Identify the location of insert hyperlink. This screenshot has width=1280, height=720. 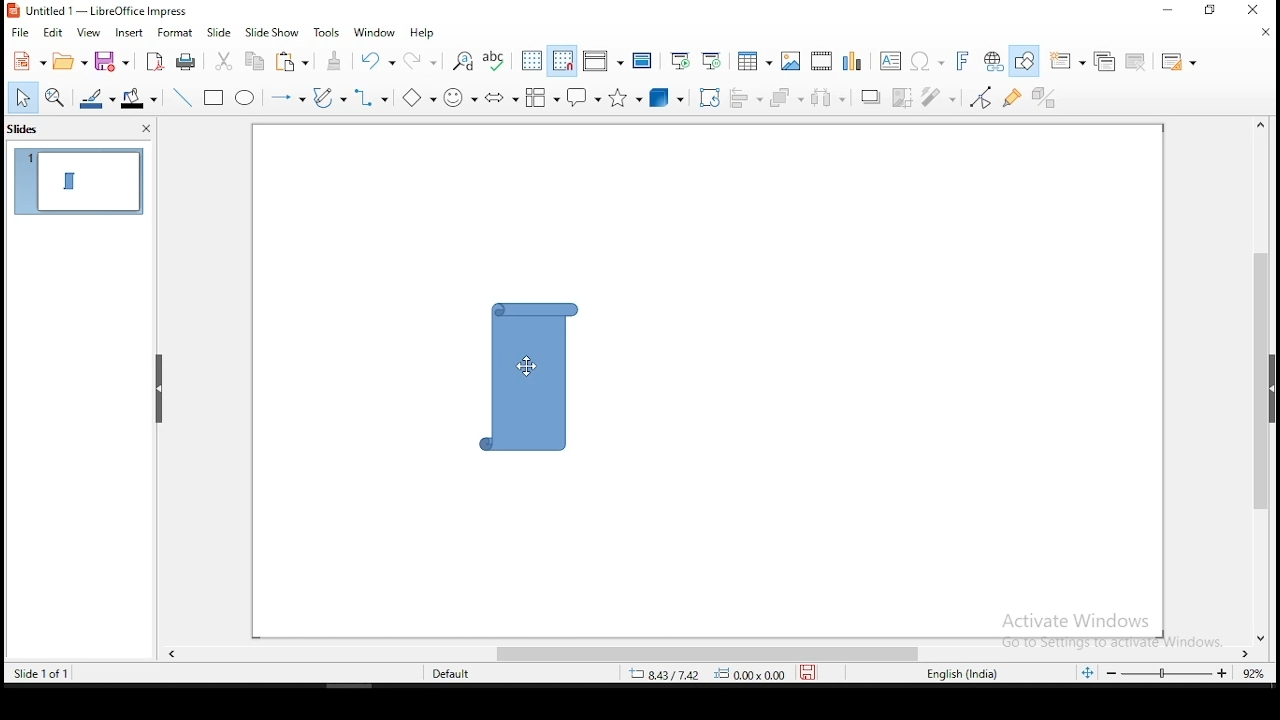
(994, 59).